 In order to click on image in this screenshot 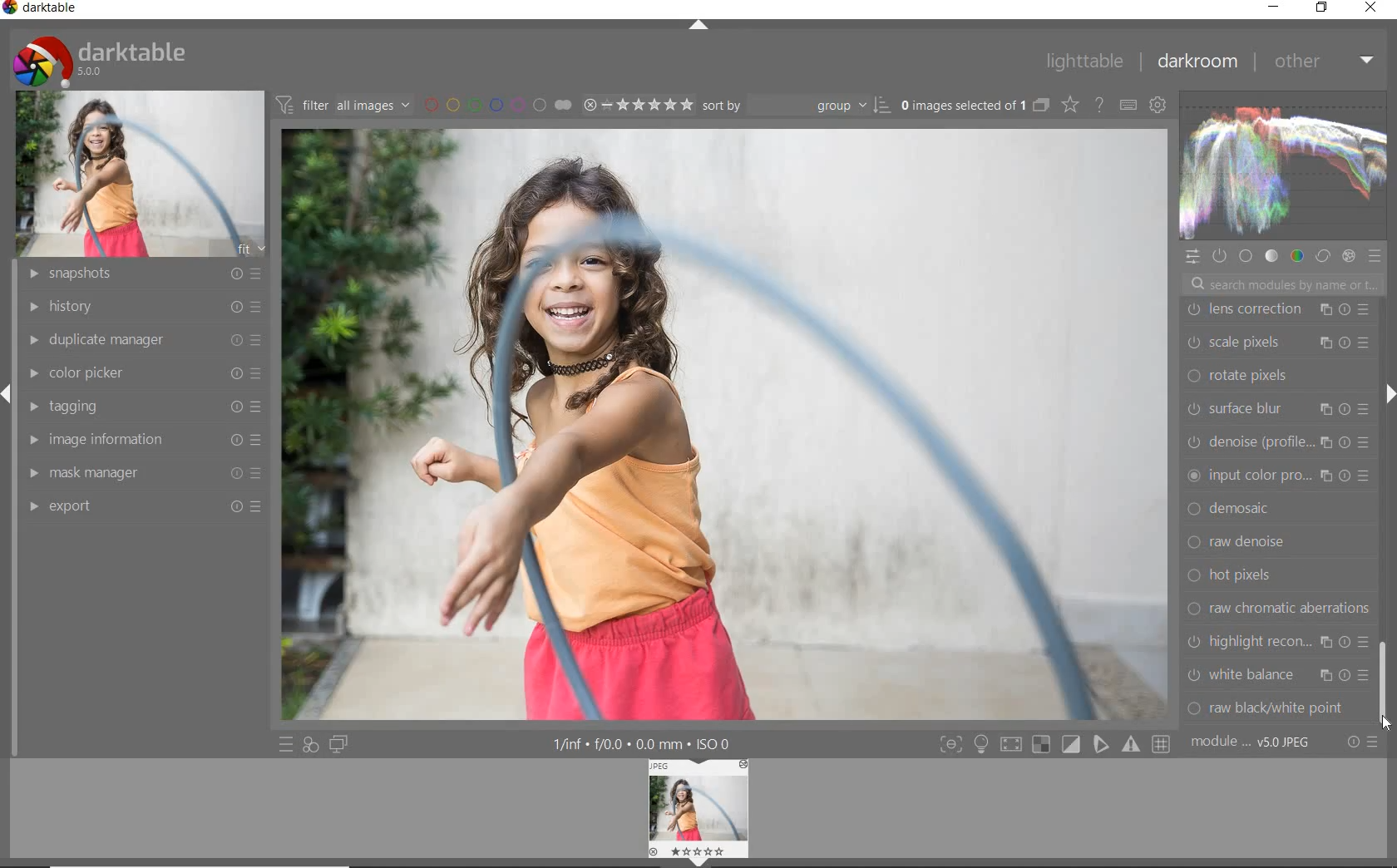, I will do `click(142, 172)`.